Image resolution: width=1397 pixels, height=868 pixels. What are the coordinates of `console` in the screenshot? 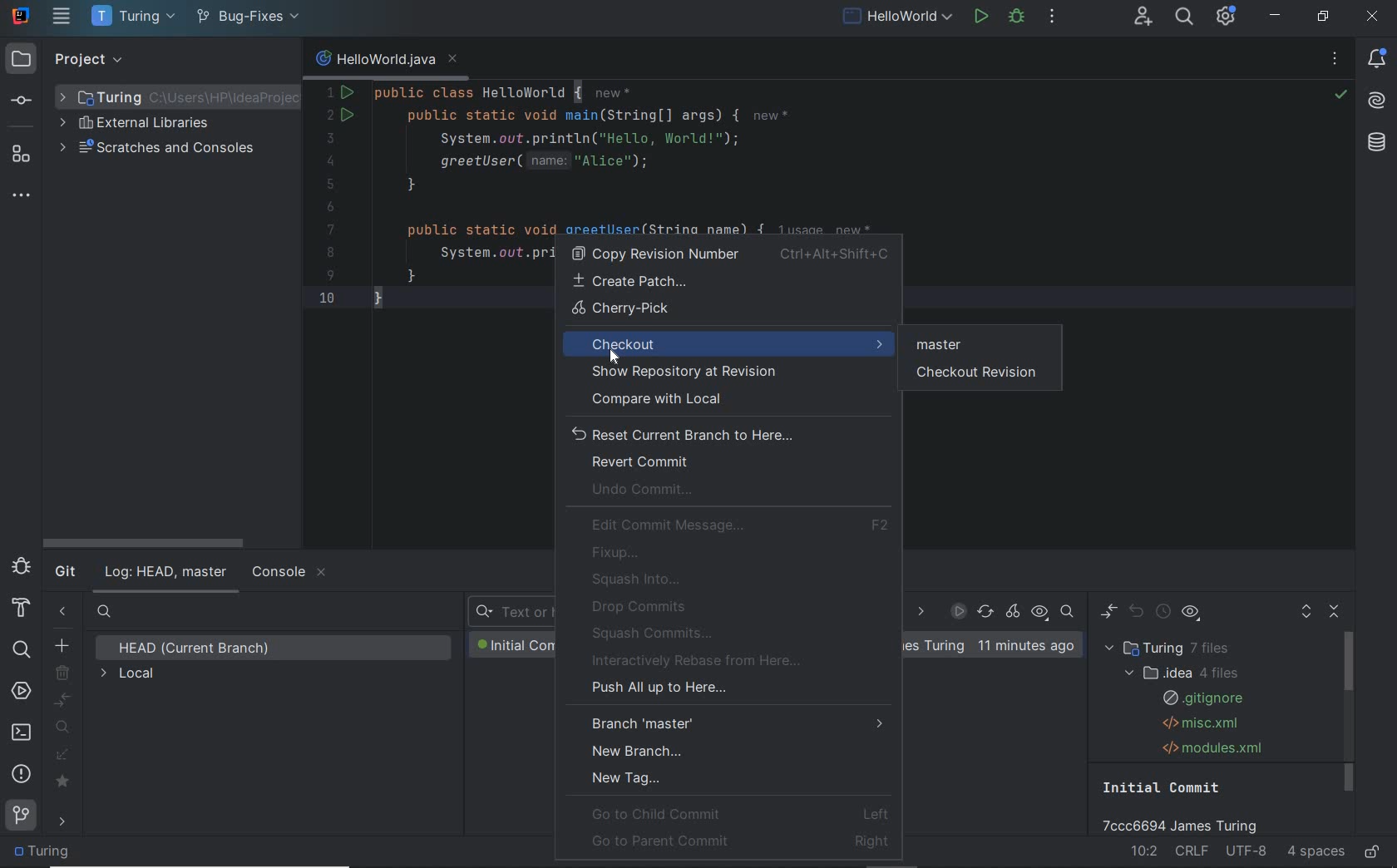 It's located at (288, 573).